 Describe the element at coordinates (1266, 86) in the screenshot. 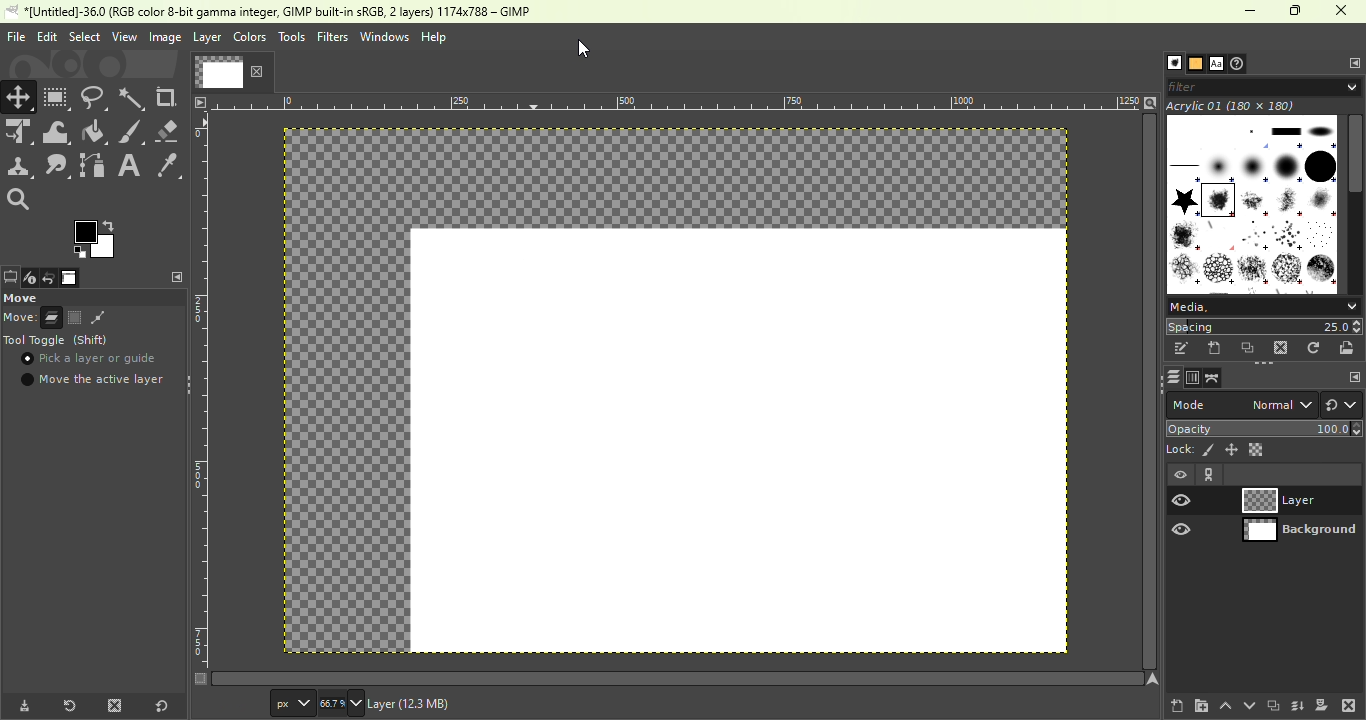

I see `Filter` at that location.